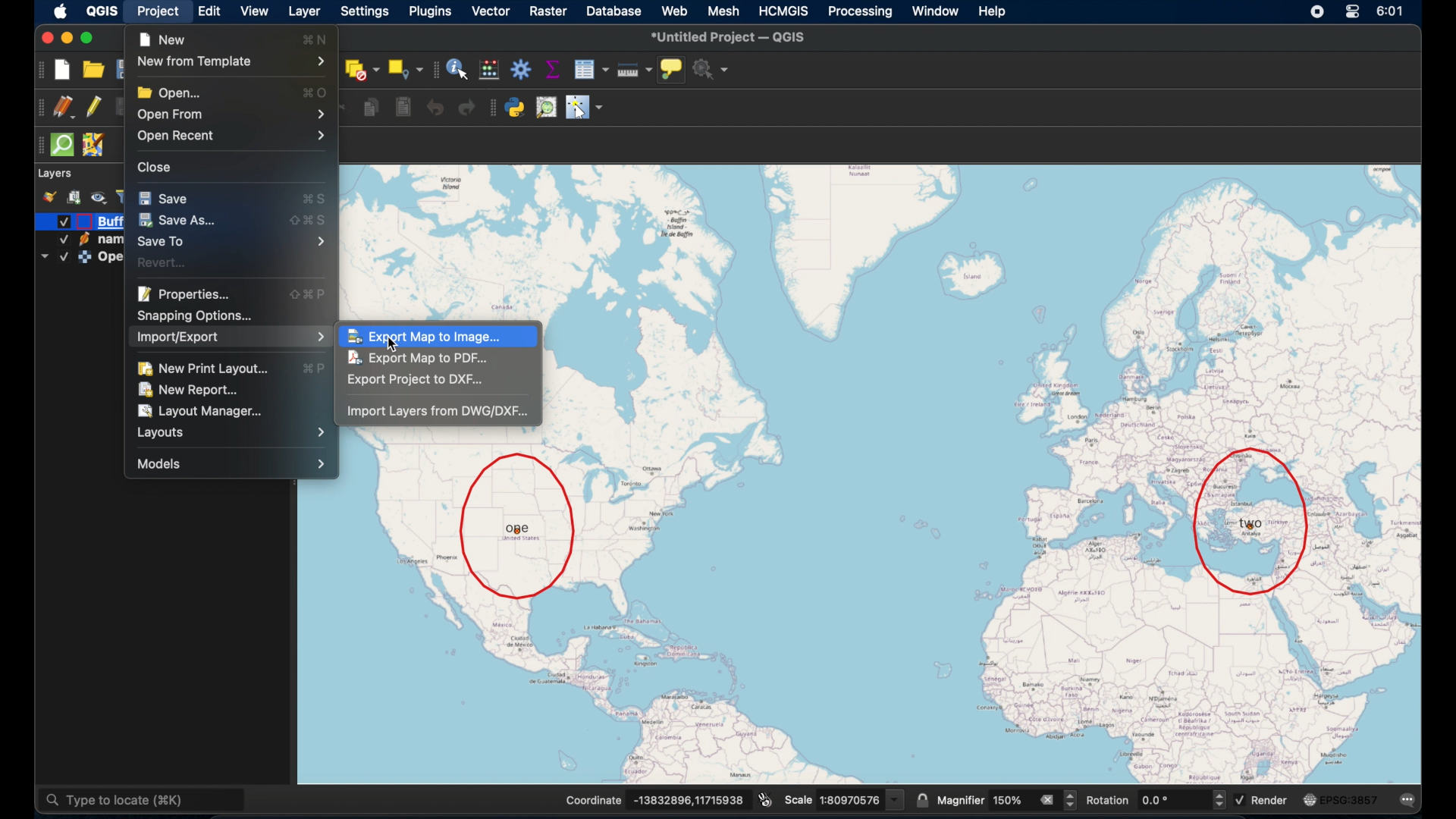 The width and height of the screenshot is (1456, 819). What do you see at coordinates (732, 37) in the screenshot?
I see `*untitled project - QGIS` at bounding box center [732, 37].